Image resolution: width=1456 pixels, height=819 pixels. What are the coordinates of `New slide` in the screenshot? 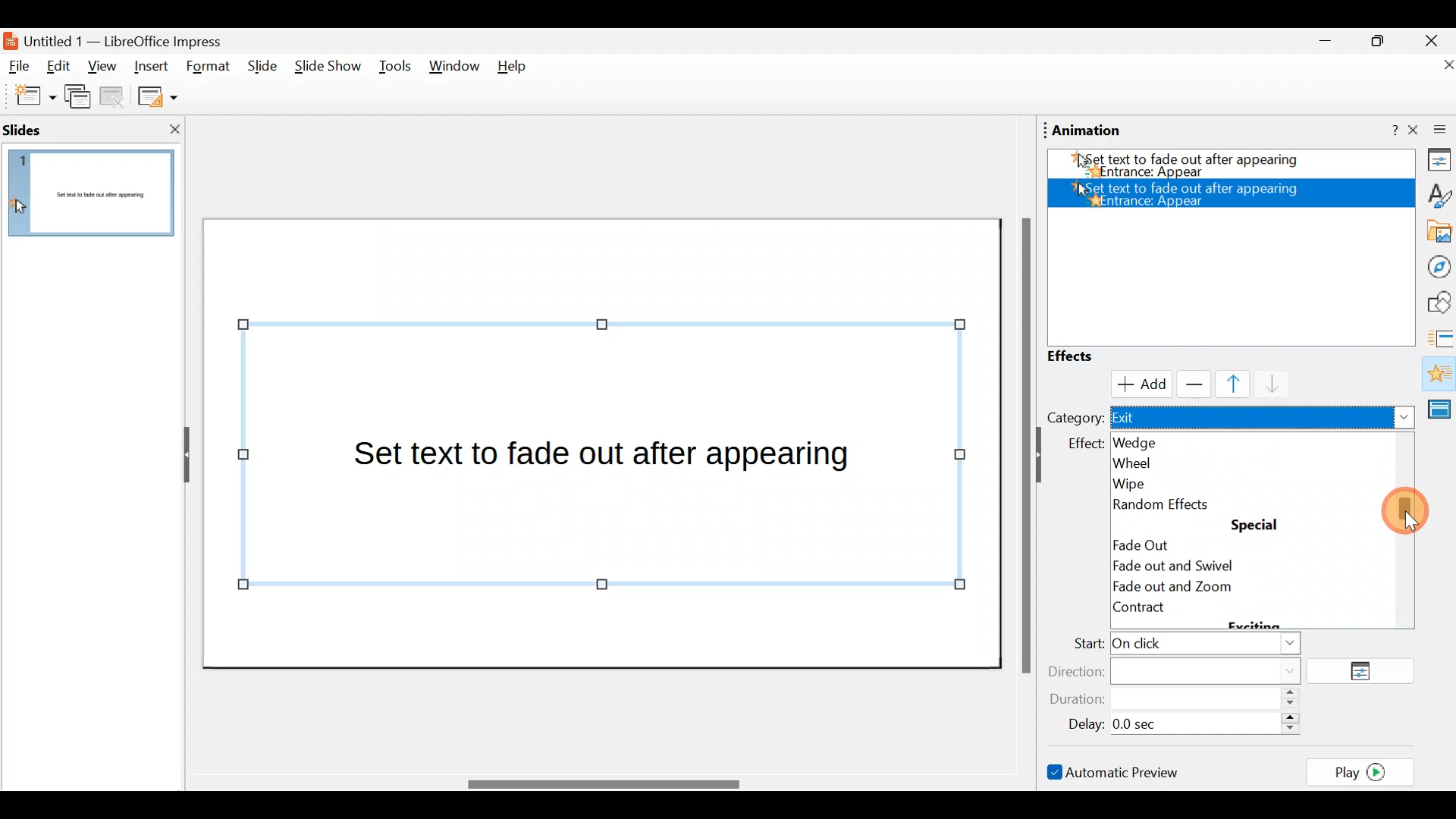 It's located at (28, 96).